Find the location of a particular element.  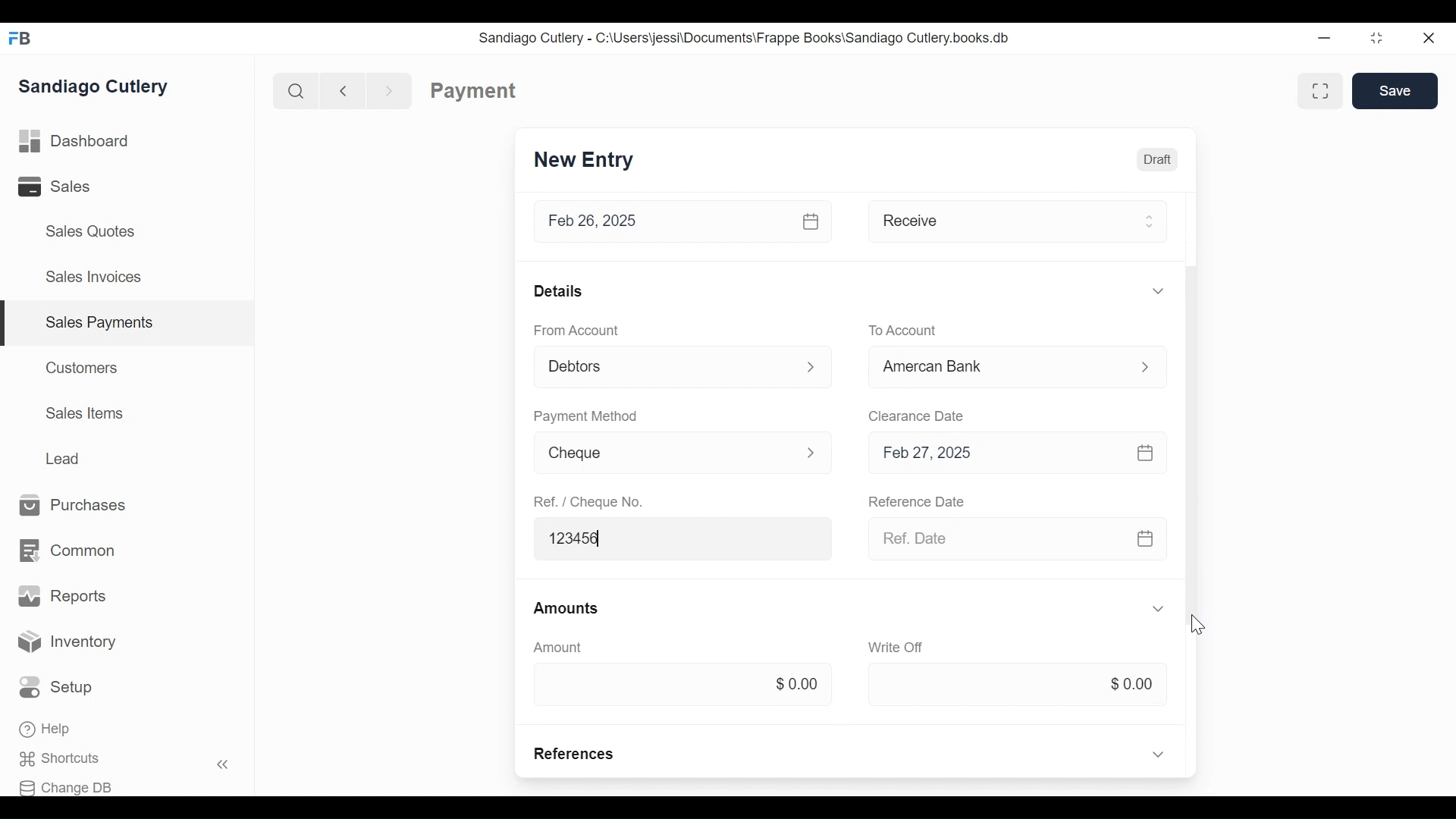

Expand is located at coordinates (1144, 366).